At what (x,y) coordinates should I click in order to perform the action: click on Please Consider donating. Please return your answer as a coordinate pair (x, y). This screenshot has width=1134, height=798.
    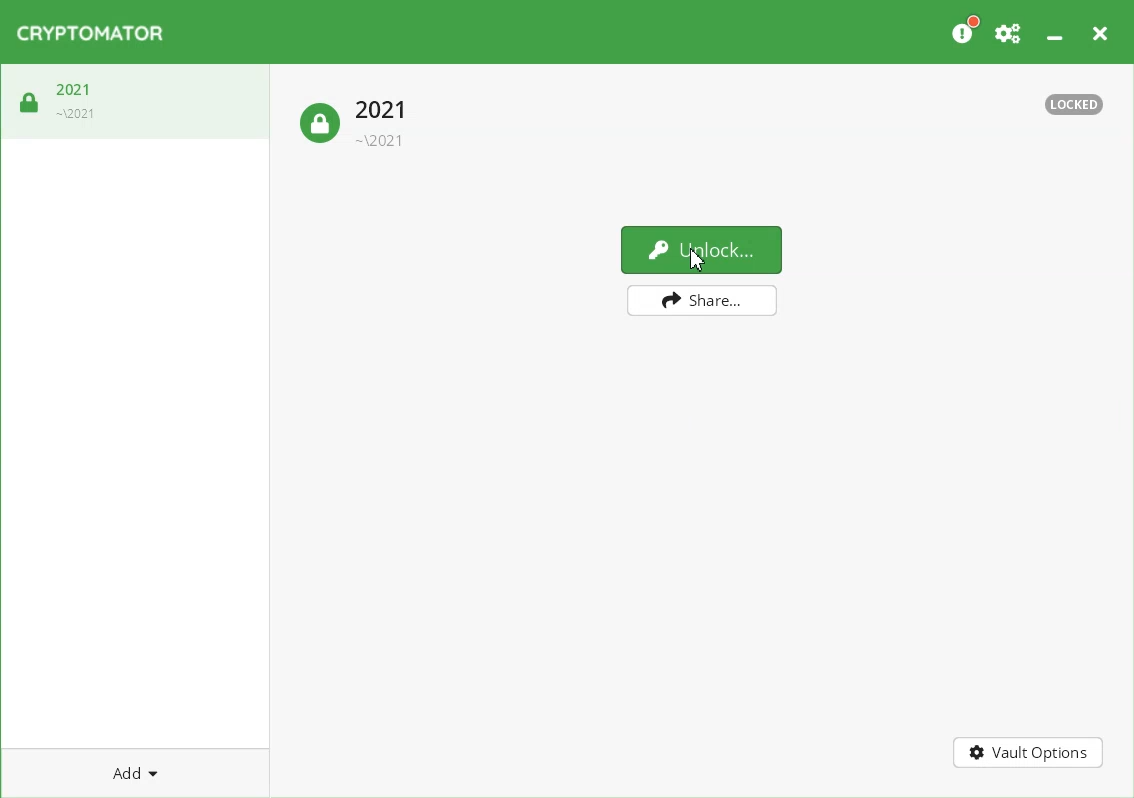
    Looking at the image, I should click on (964, 30).